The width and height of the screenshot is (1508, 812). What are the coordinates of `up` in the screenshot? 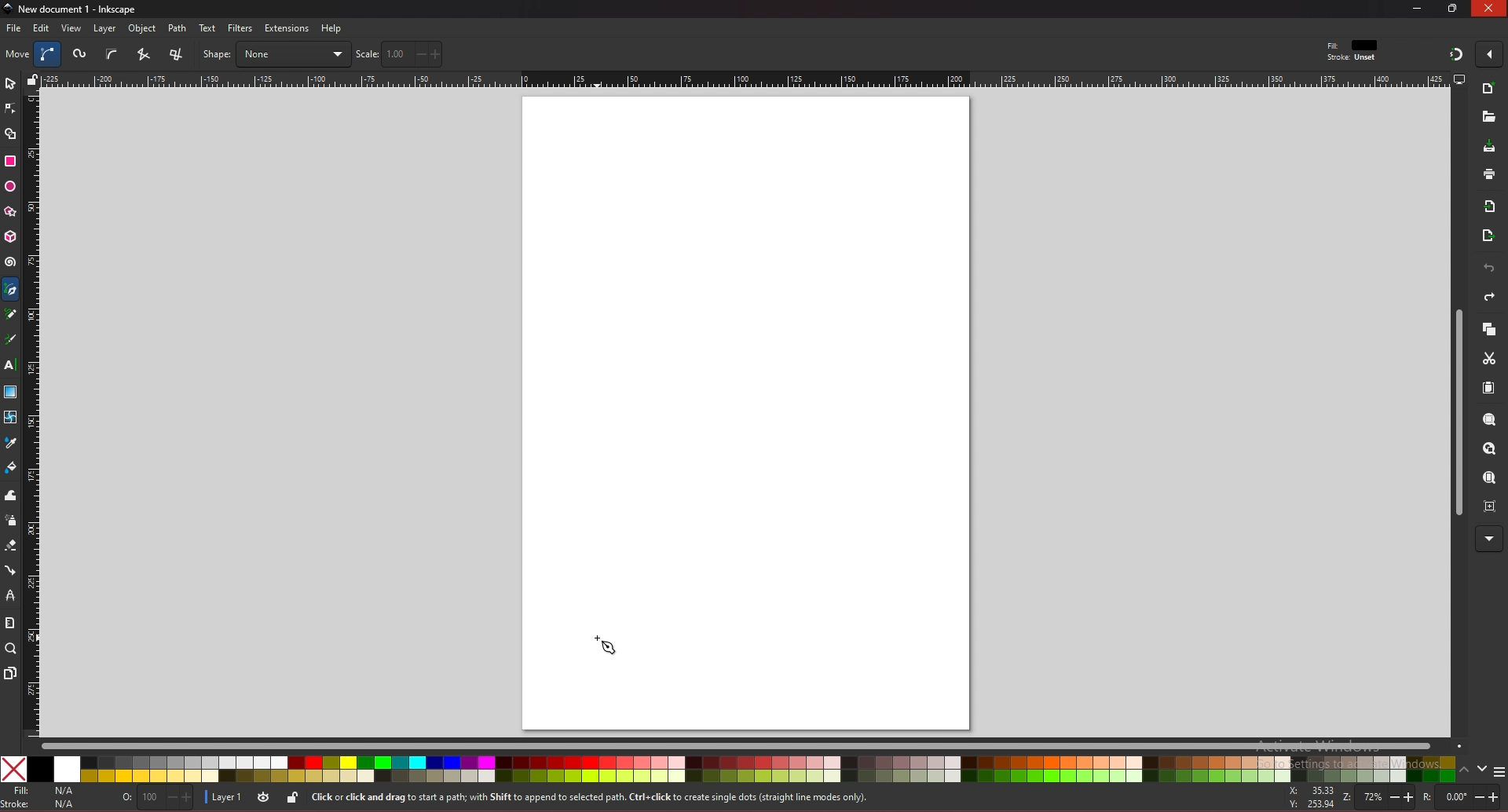 It's located at (1465, 772).